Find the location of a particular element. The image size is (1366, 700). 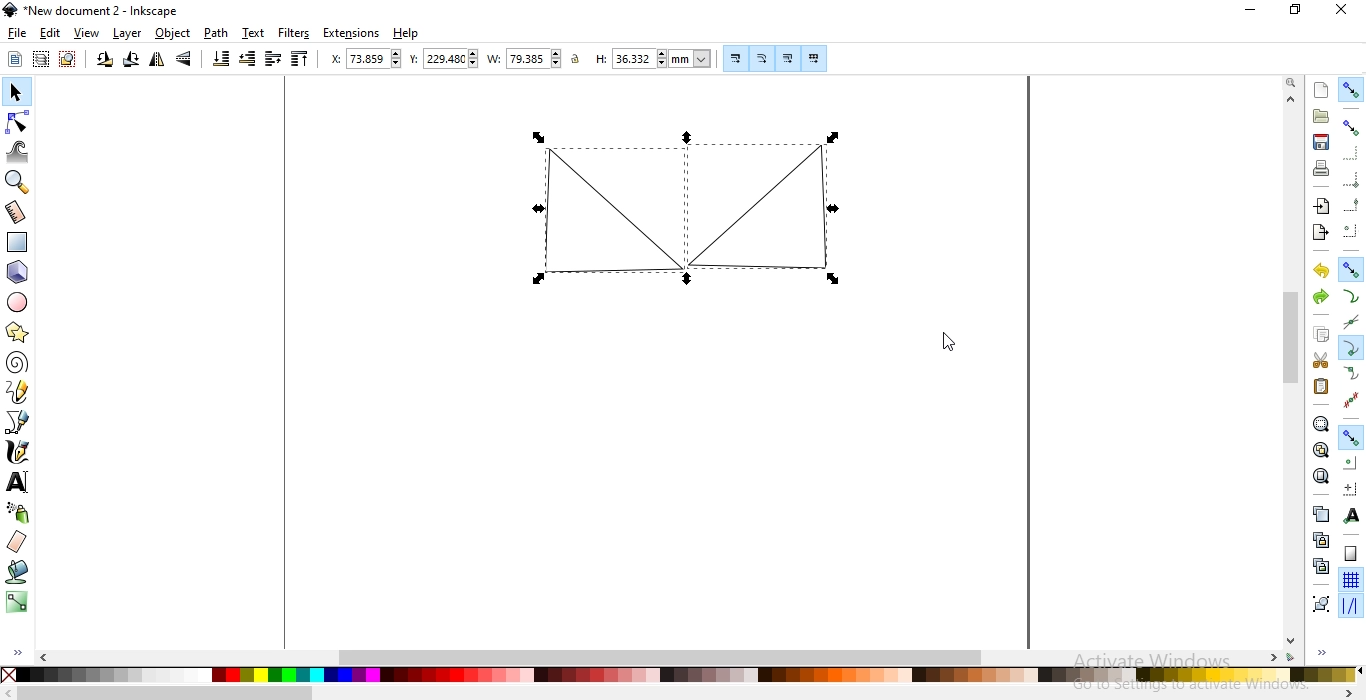

raise selection one step is located at coordinates (272, 60).